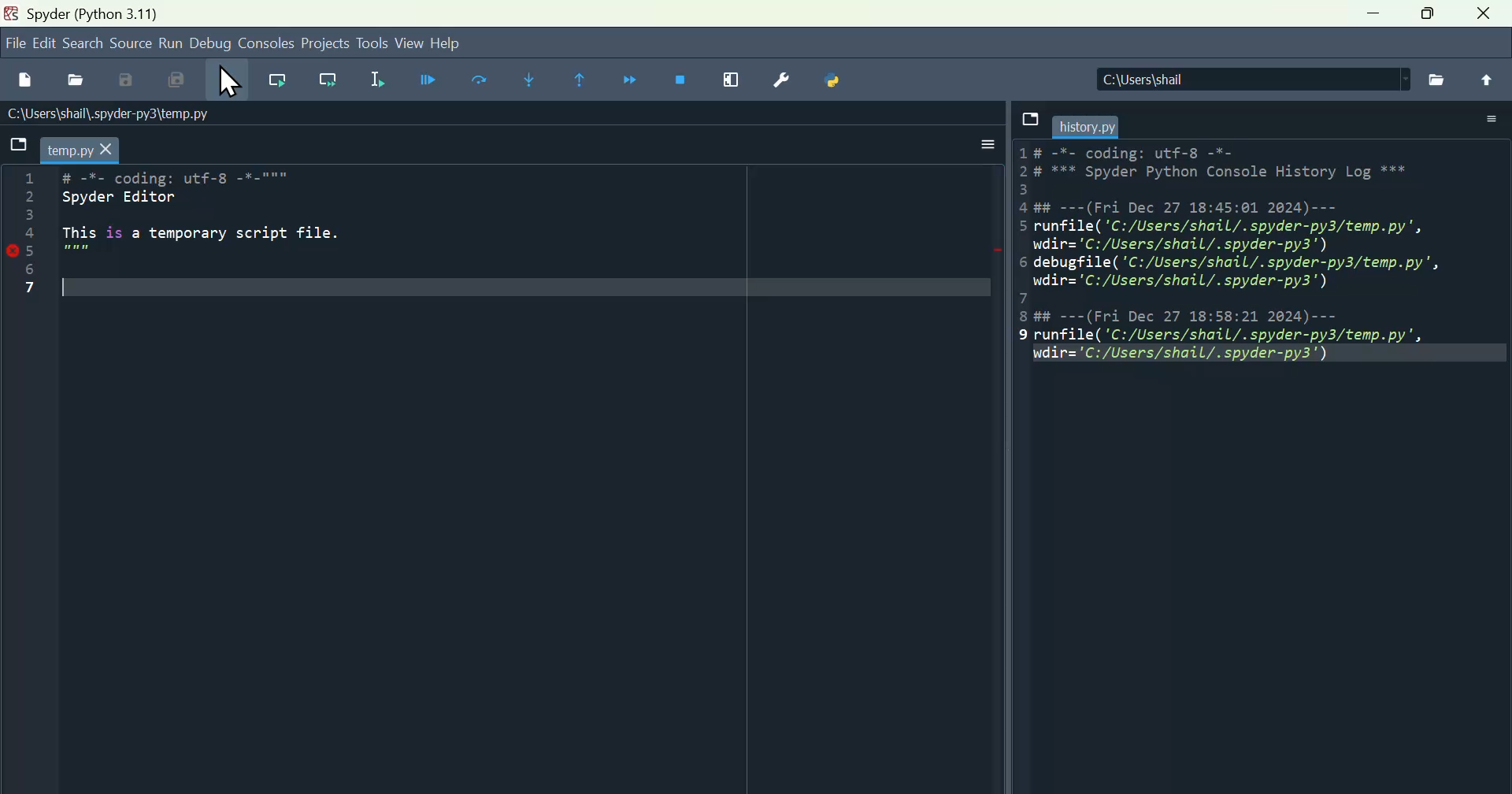  I want to click on Run selection, so click(386, 80).